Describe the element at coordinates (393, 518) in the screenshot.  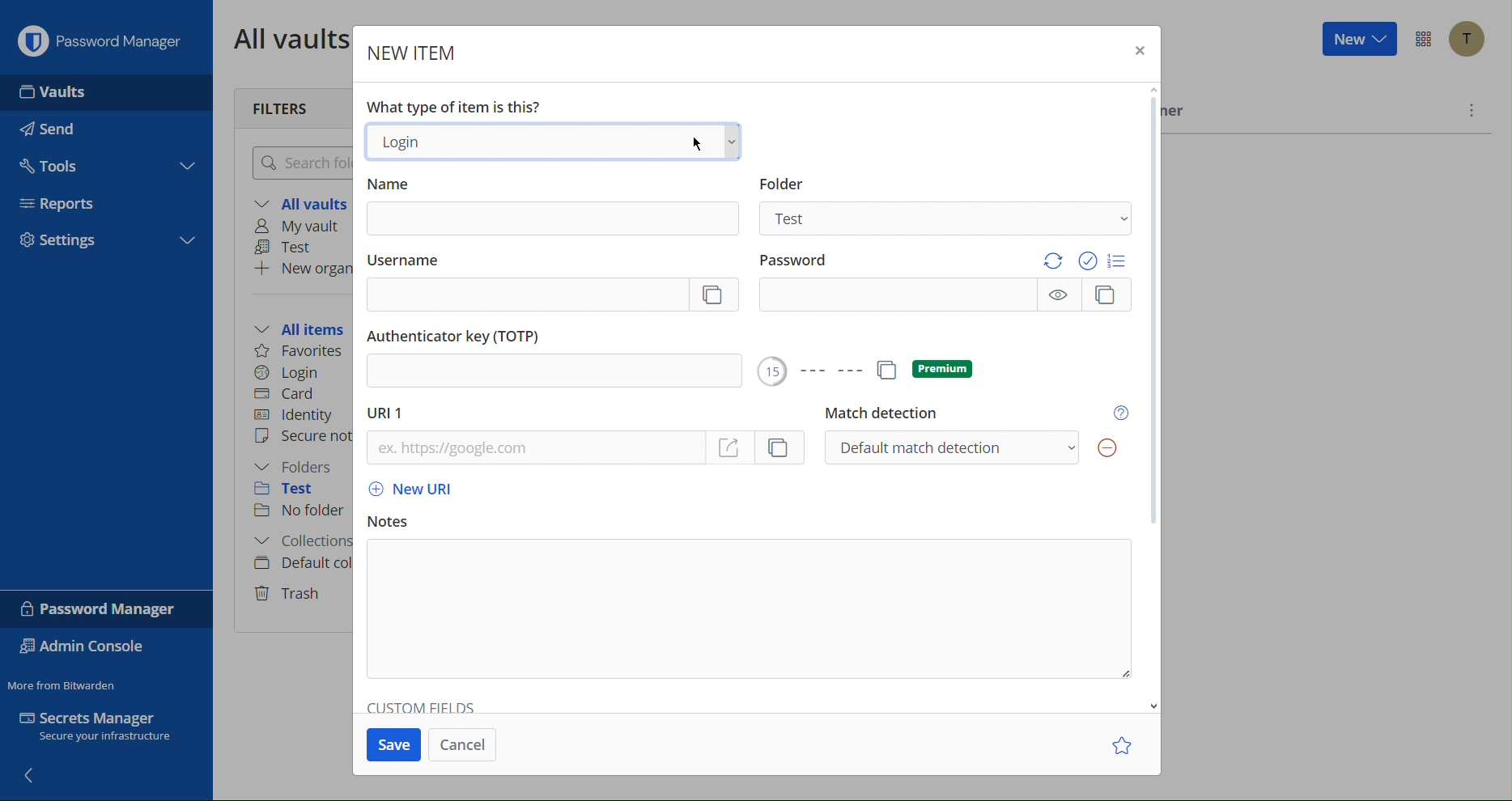
I see `Notes` at that location.